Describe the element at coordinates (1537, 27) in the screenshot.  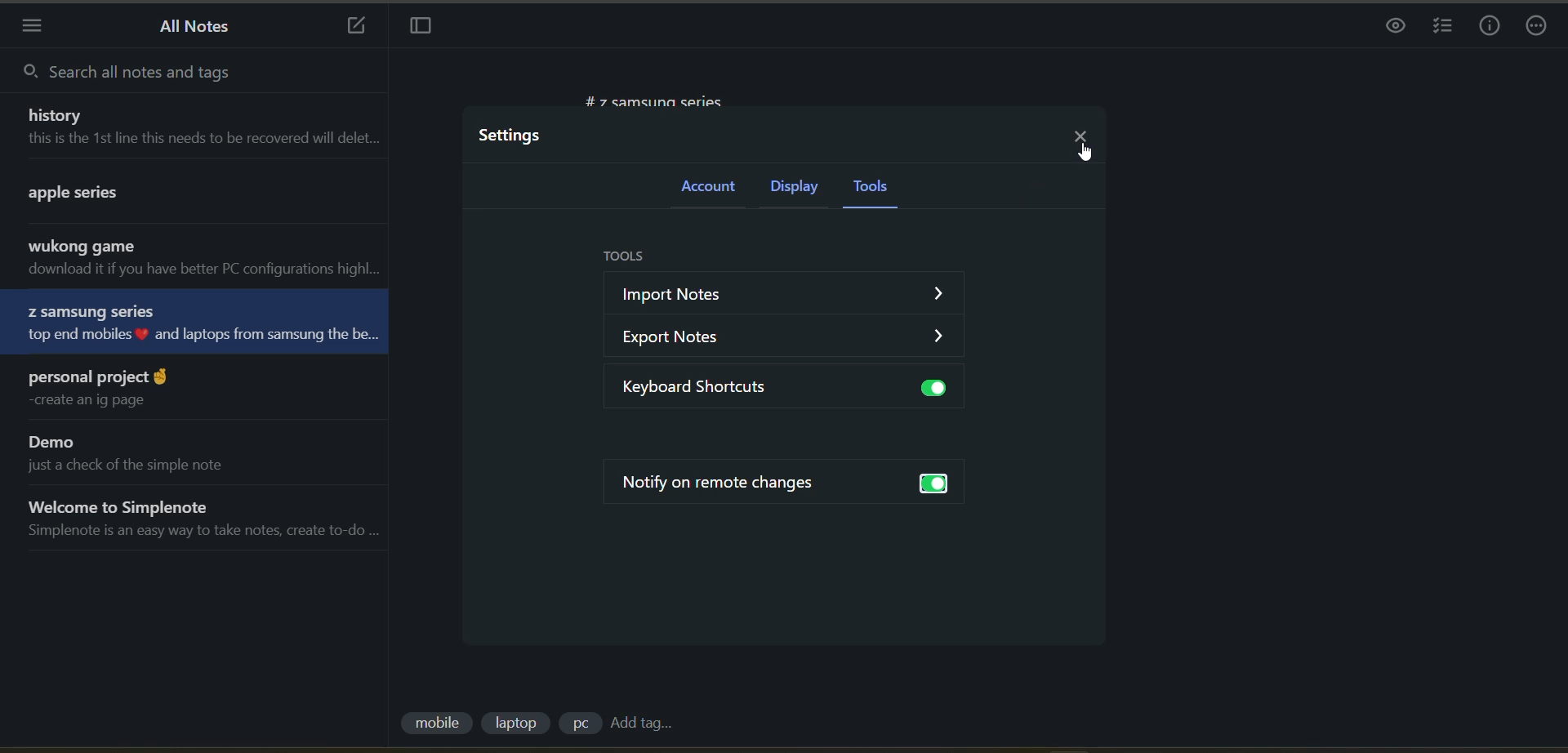
I see `actions` at that location.